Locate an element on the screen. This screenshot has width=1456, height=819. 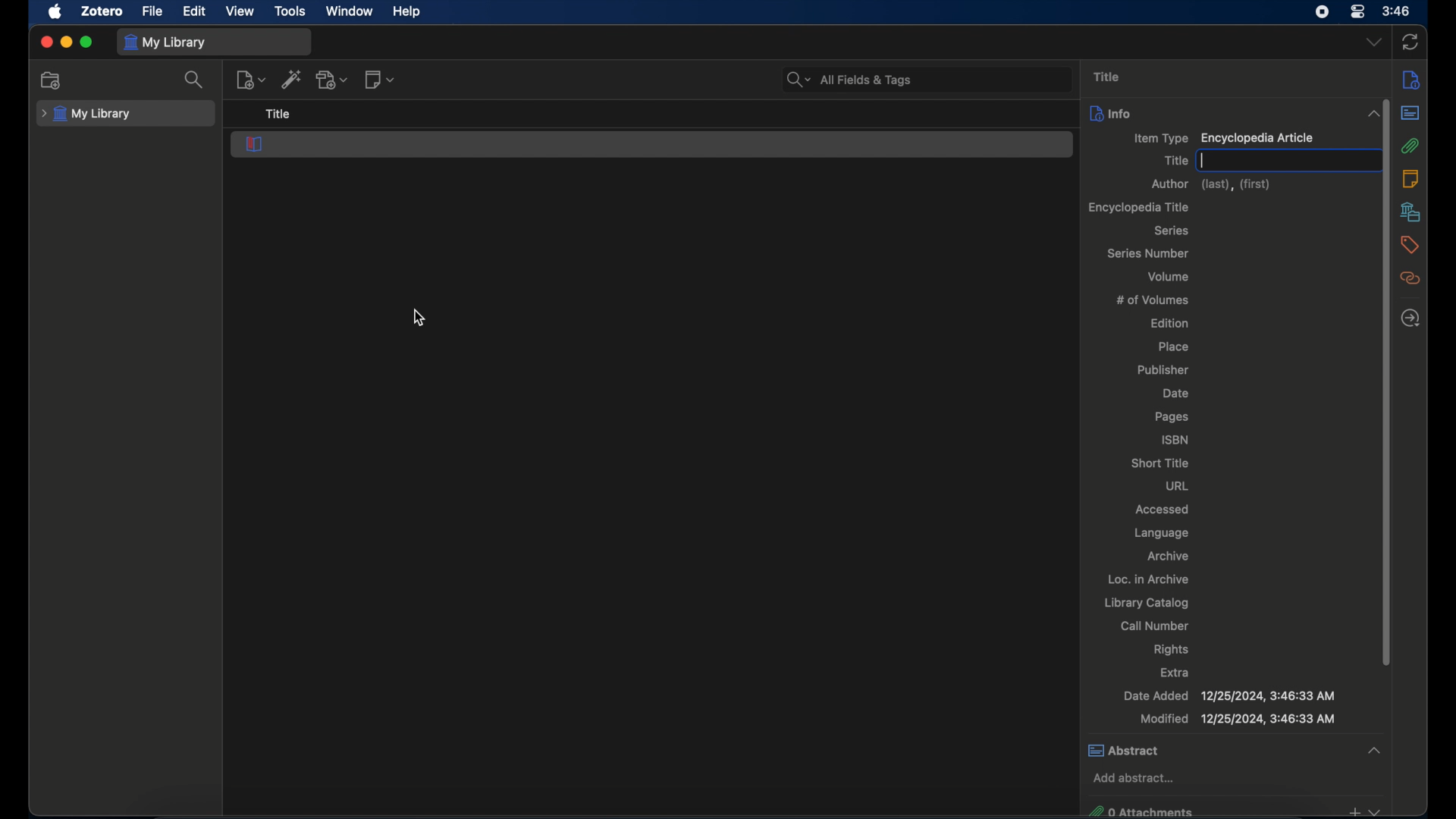
file is located at coordinates (151, 10).